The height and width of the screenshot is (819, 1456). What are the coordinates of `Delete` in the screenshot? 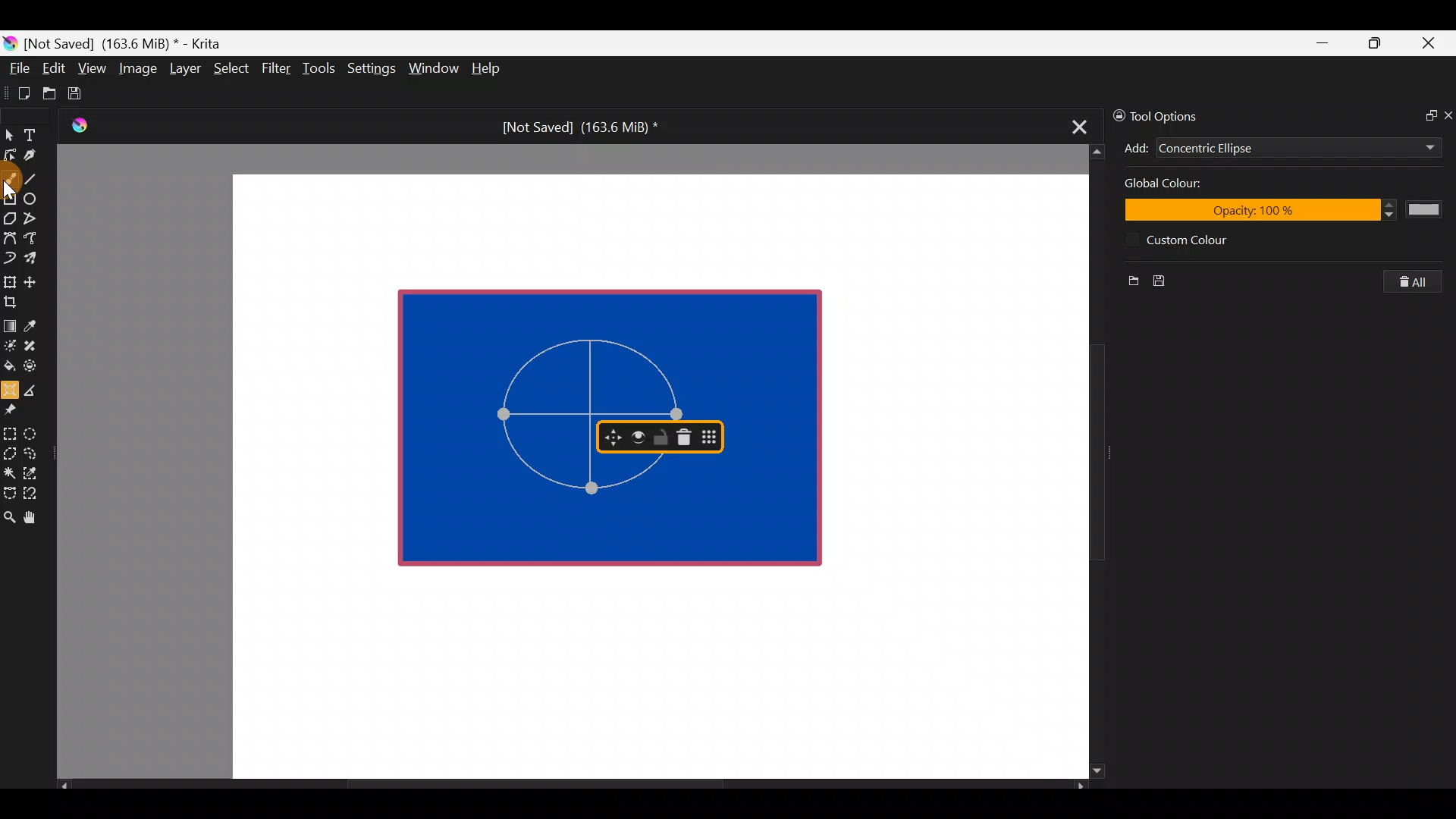 It's located at (684, 434).